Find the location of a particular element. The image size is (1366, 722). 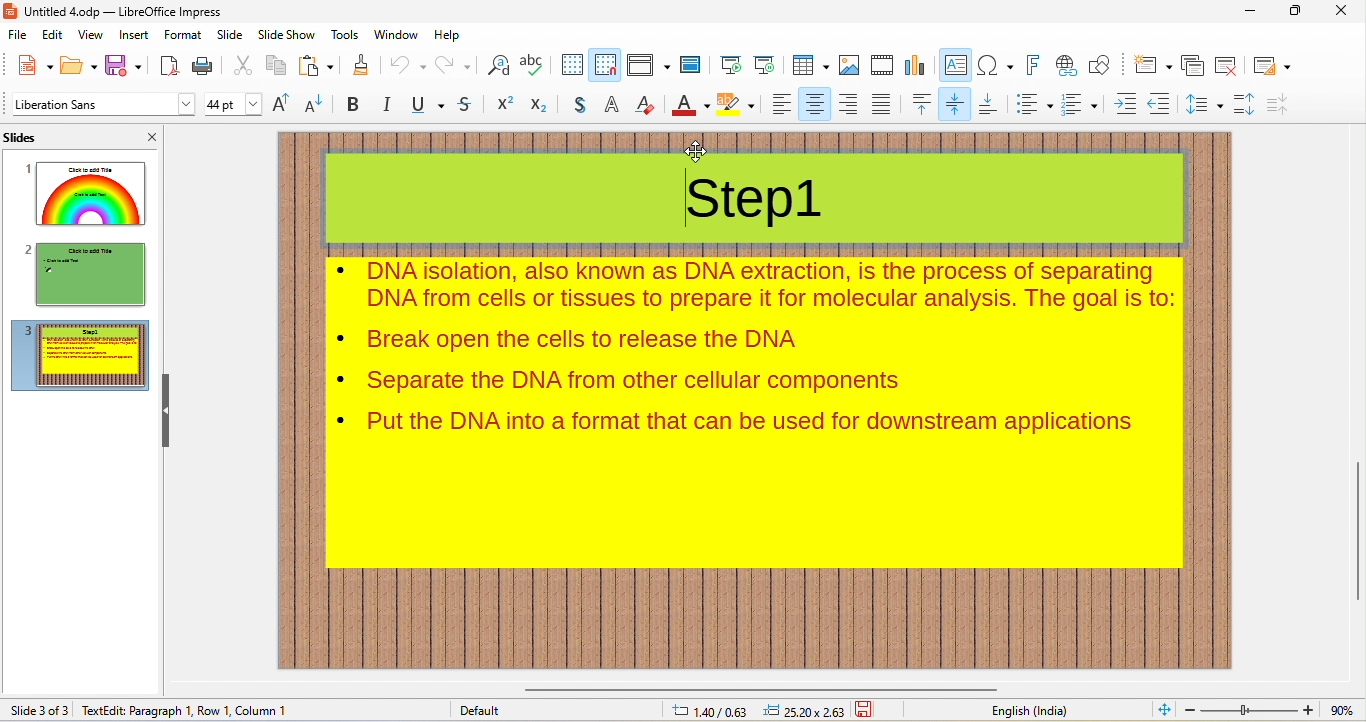

start from beginning is located at coordinates (728, 63).